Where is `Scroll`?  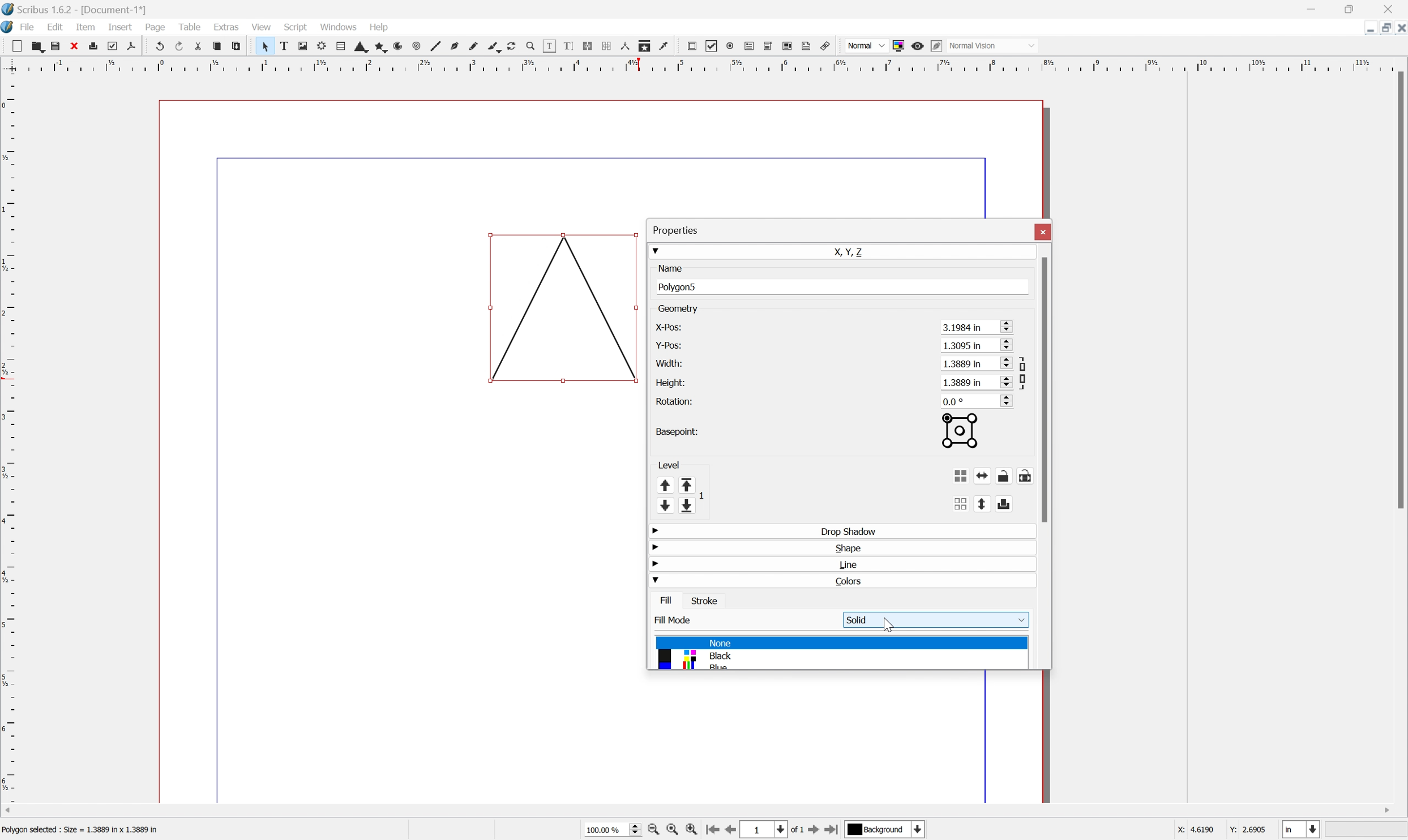
Scroll is located at coordinates (1018, 325).